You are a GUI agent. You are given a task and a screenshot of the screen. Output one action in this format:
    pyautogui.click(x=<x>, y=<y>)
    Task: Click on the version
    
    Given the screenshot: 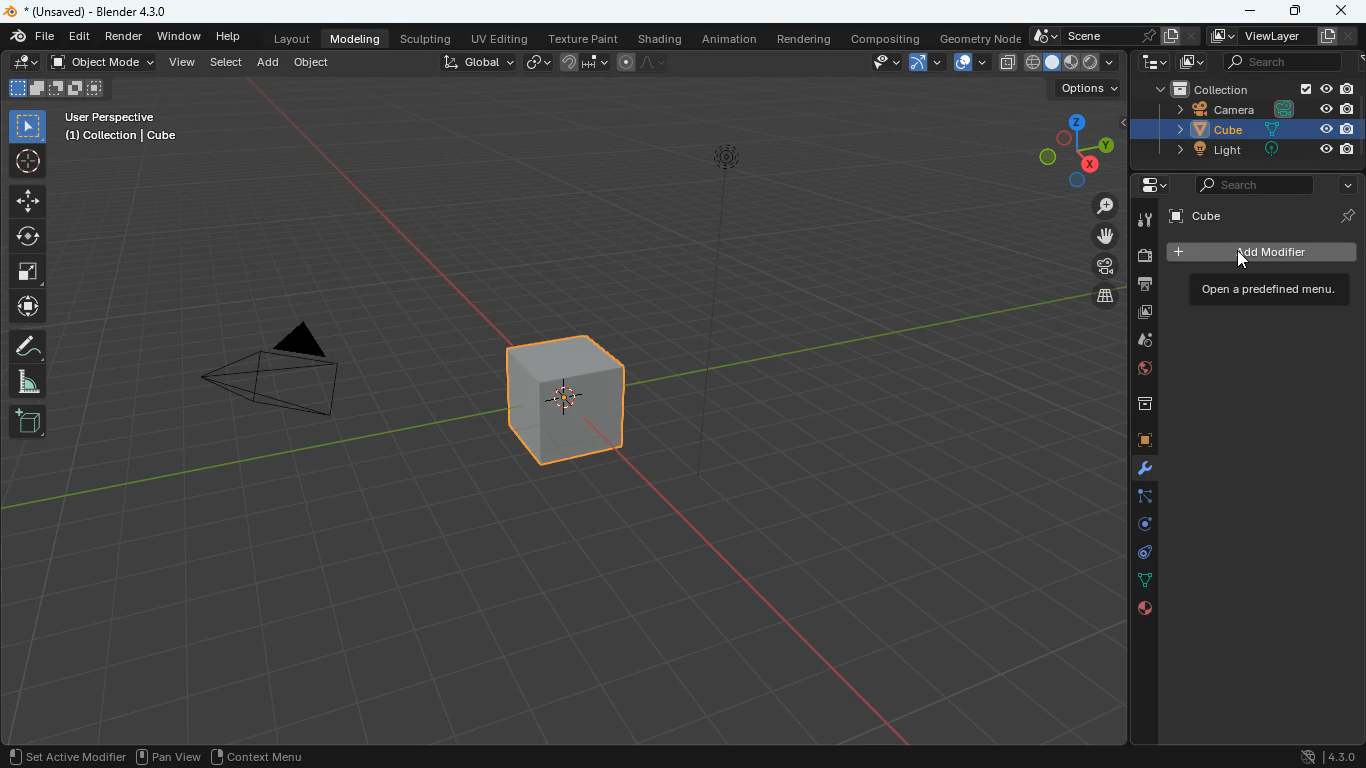 What is the action you would take?
    pyautogui.click(x=1328, y=753)
    